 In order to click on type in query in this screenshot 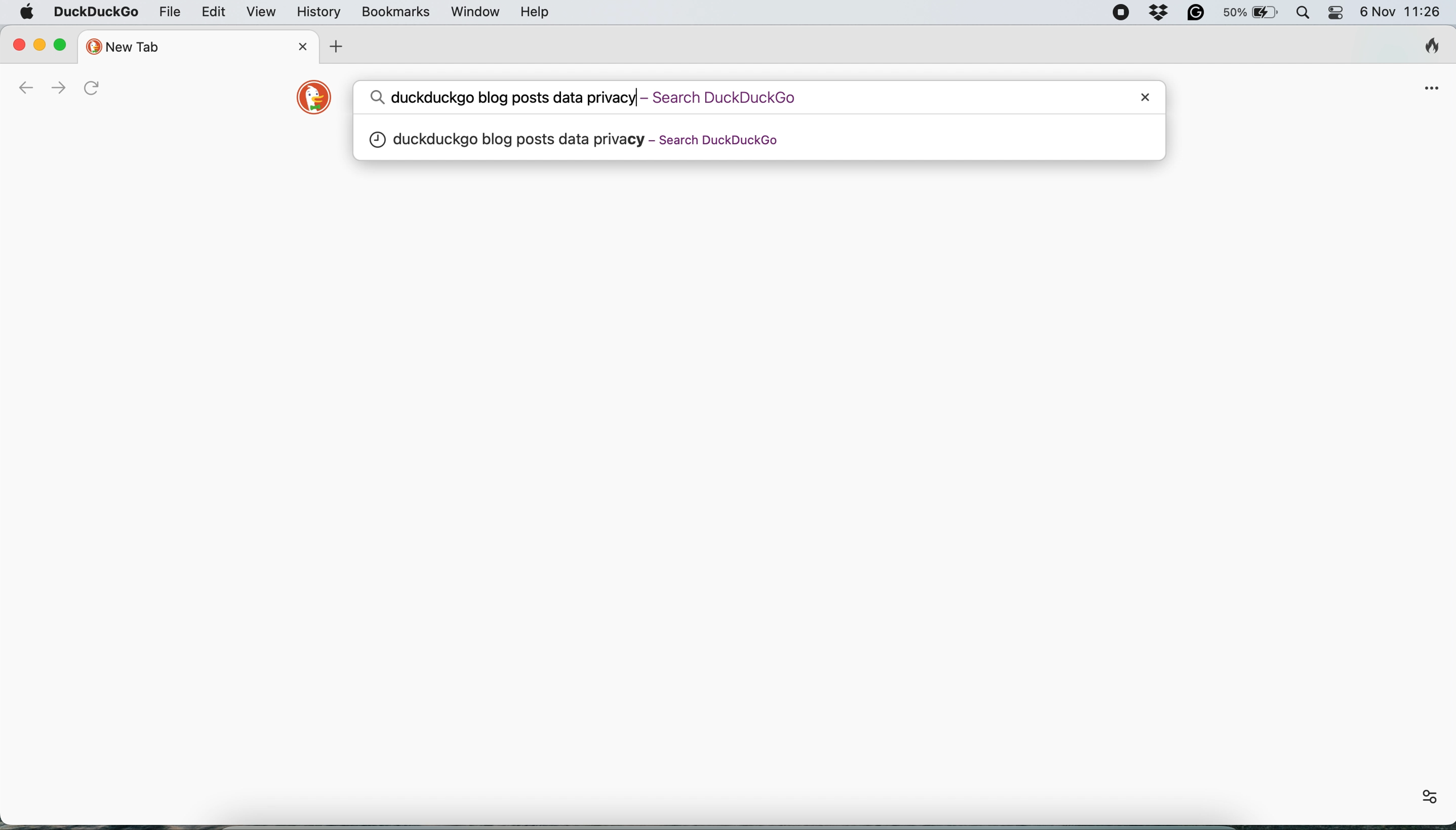, I will do `click(729, 95)`.